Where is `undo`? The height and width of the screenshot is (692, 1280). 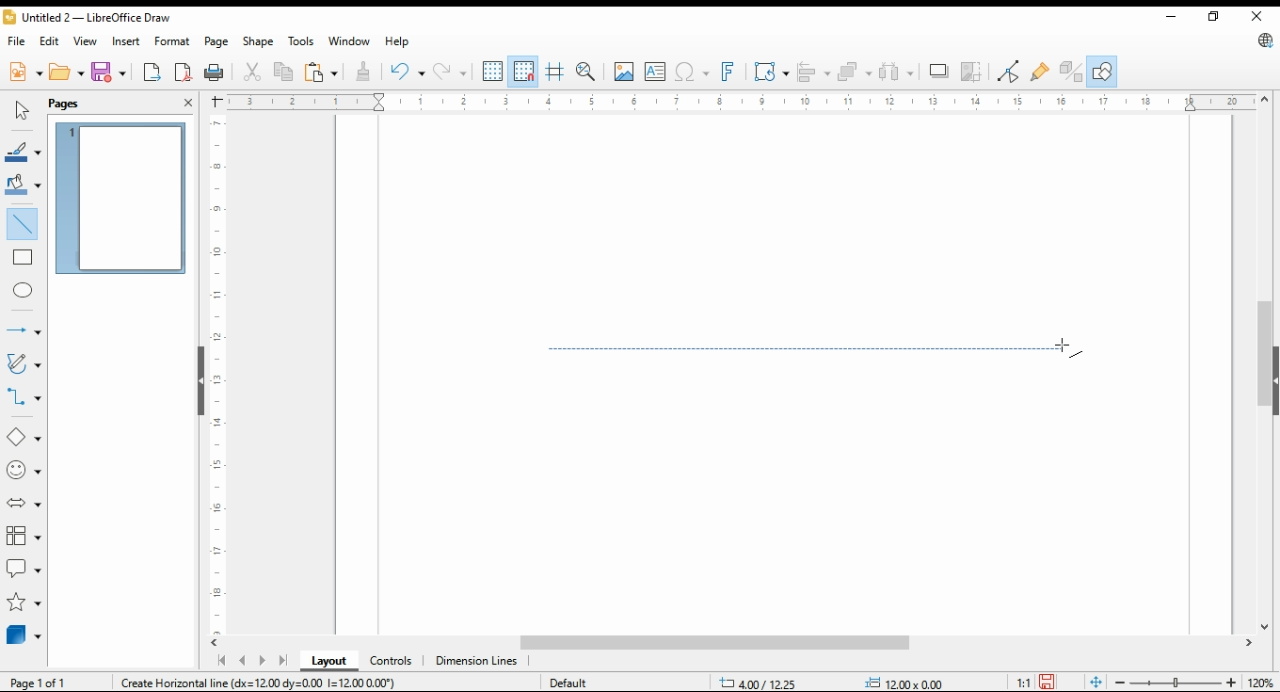 undo is located at coordinates (408, 70).